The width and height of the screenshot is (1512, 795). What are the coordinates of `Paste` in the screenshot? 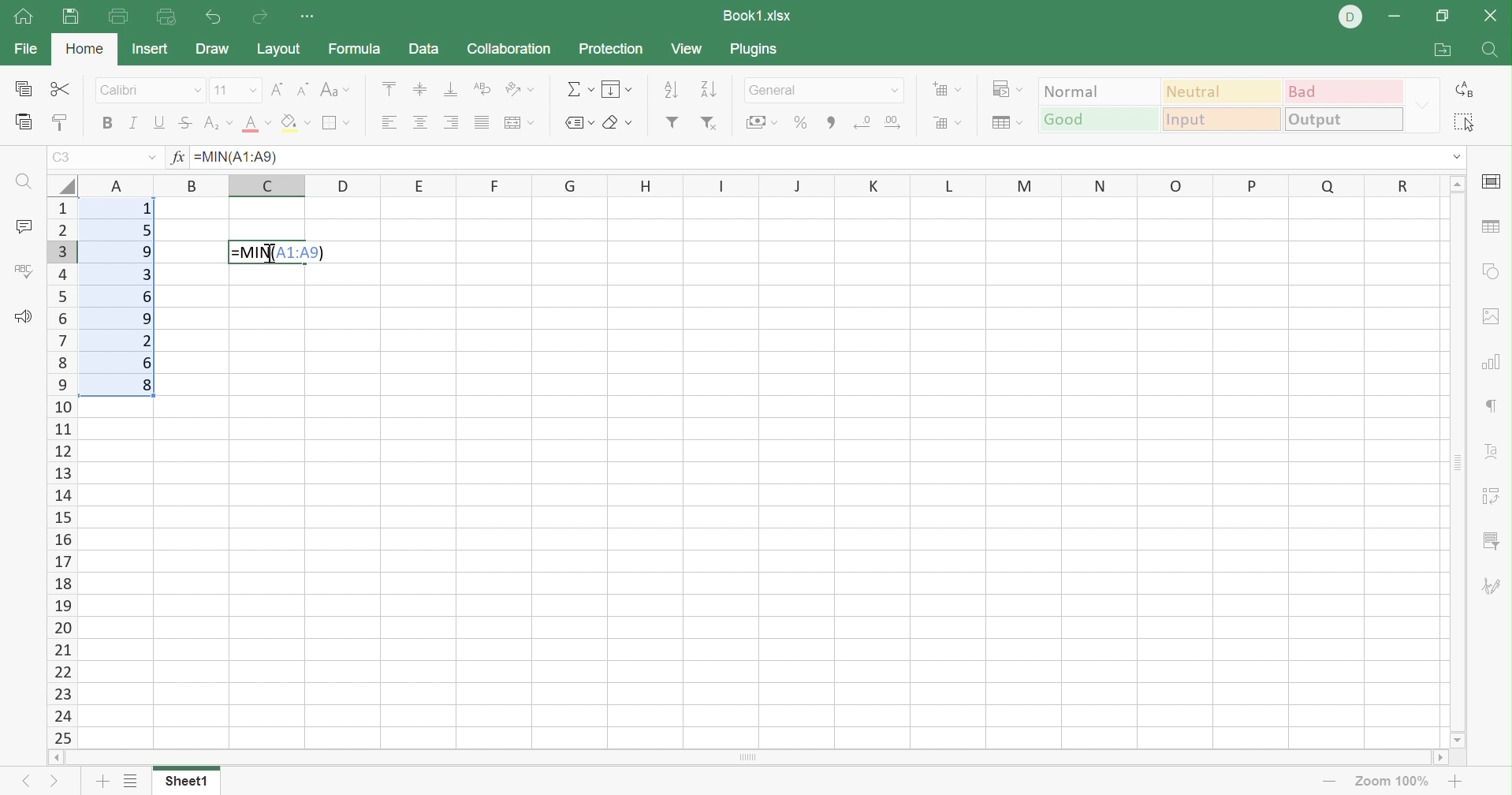 It's located at (20, 125).